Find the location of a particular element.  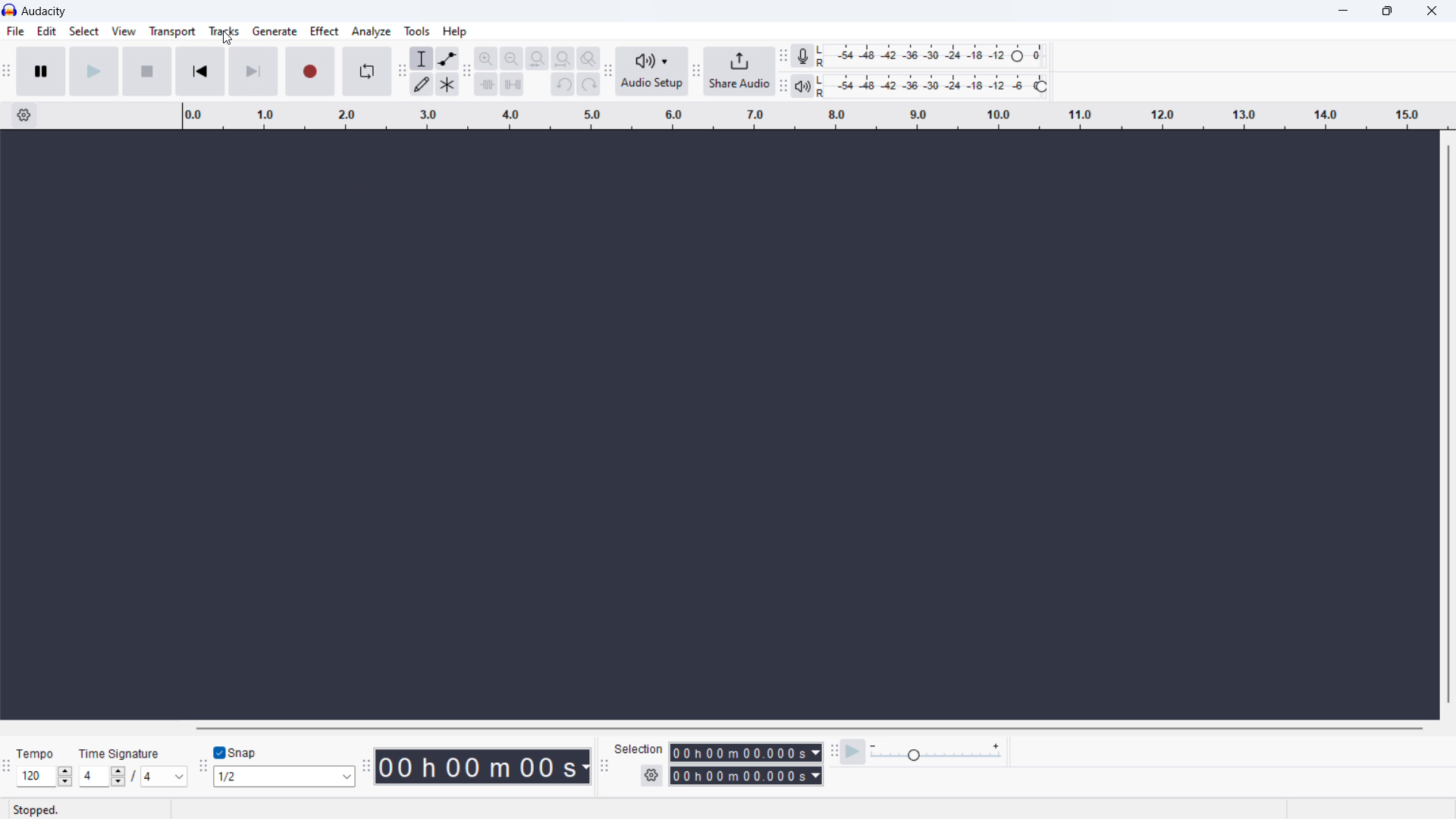

snapping toolbar is located at coordinates (201, 764).